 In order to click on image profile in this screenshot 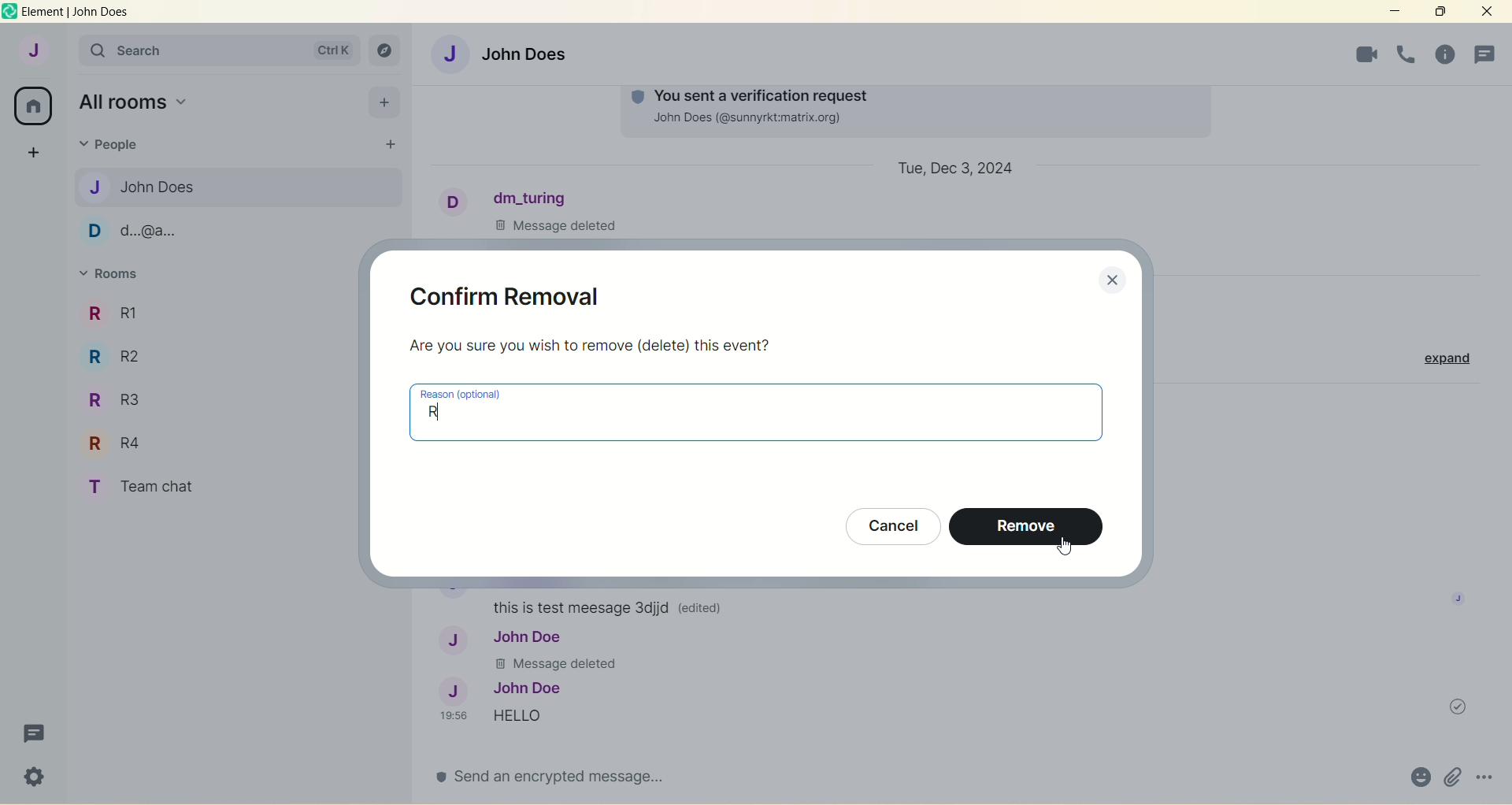, I will do `click(1462, 598)`.